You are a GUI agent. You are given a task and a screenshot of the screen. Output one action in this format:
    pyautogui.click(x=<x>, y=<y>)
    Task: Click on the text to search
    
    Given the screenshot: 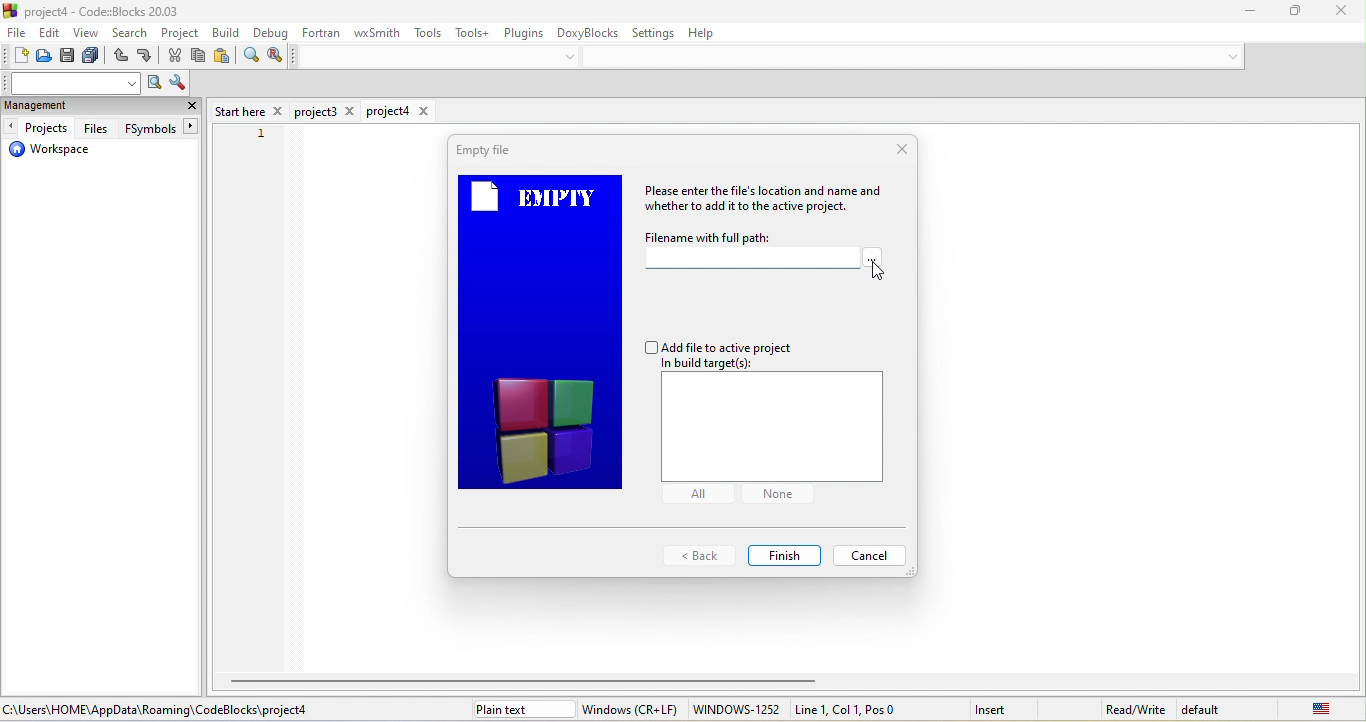 What is the action you would take?
    pyautogui.click(x=73, y=83)
    